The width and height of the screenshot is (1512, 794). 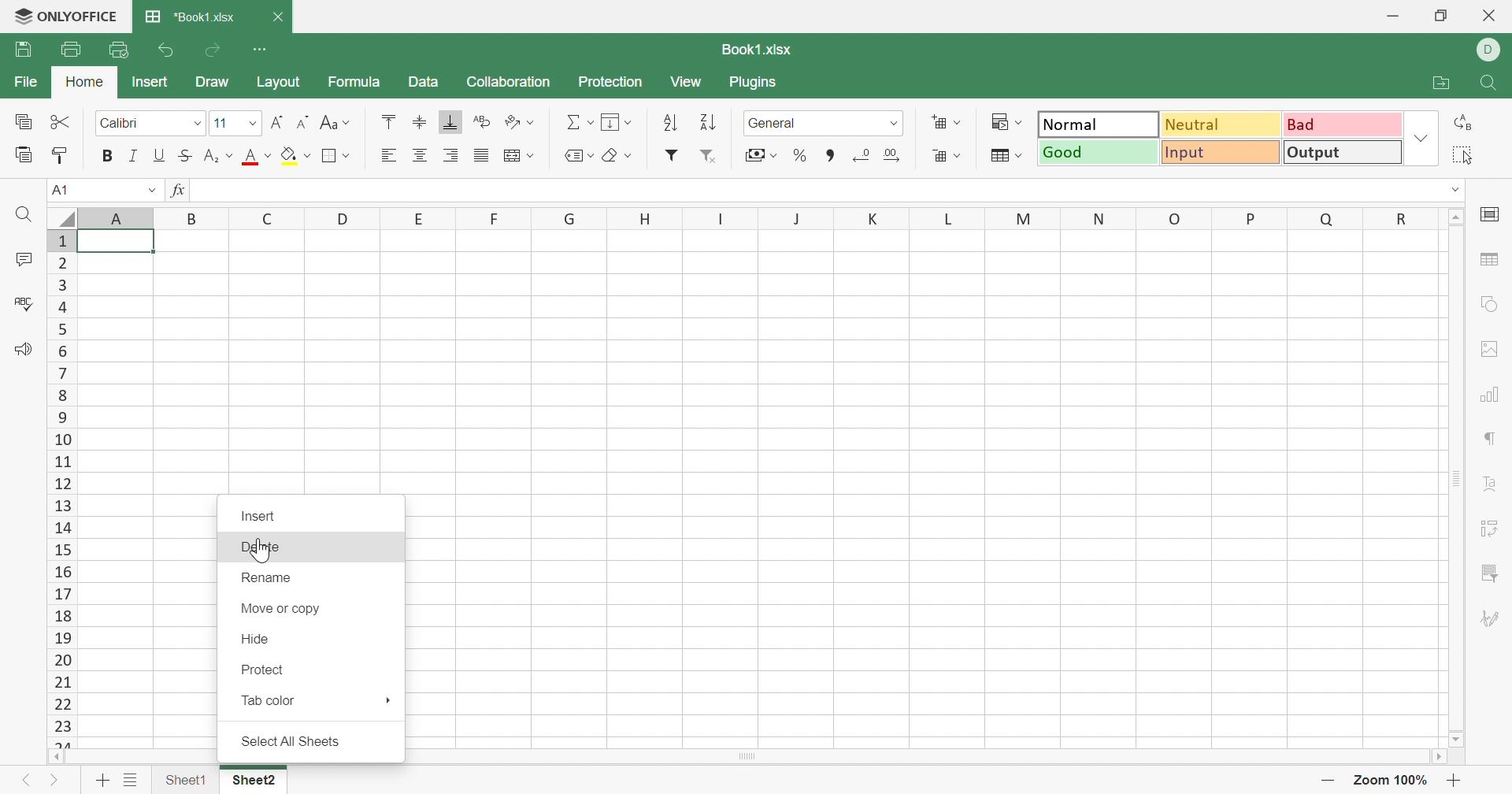 What do you see at coordinates (751, 155) in the screenshot?
I see `Accounting style` at bounding box center [751, 155].